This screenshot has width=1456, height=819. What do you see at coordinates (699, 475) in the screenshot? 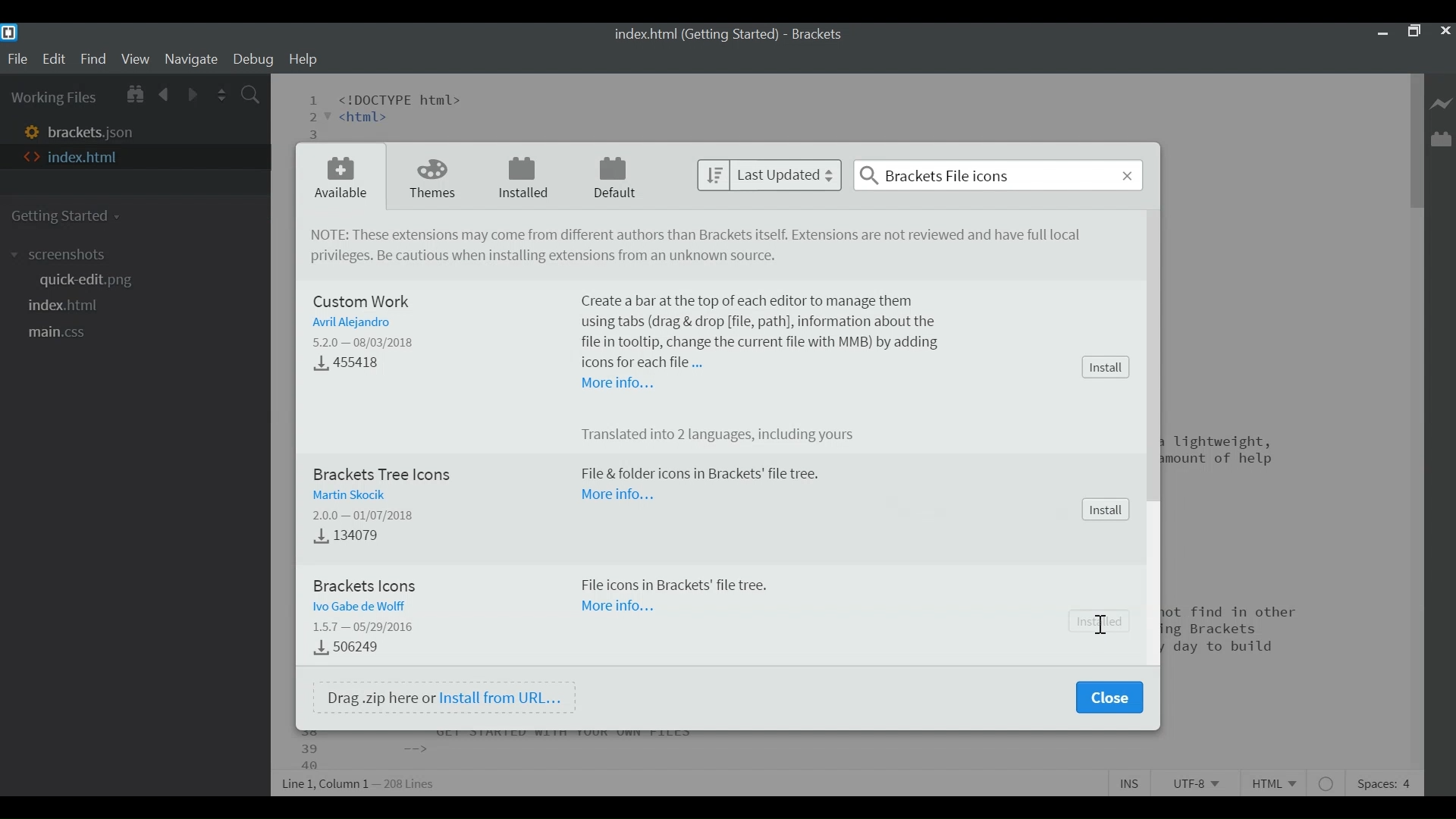
I see `File & Folder icons in Brackets file tree` at bounding box center [699, 475].